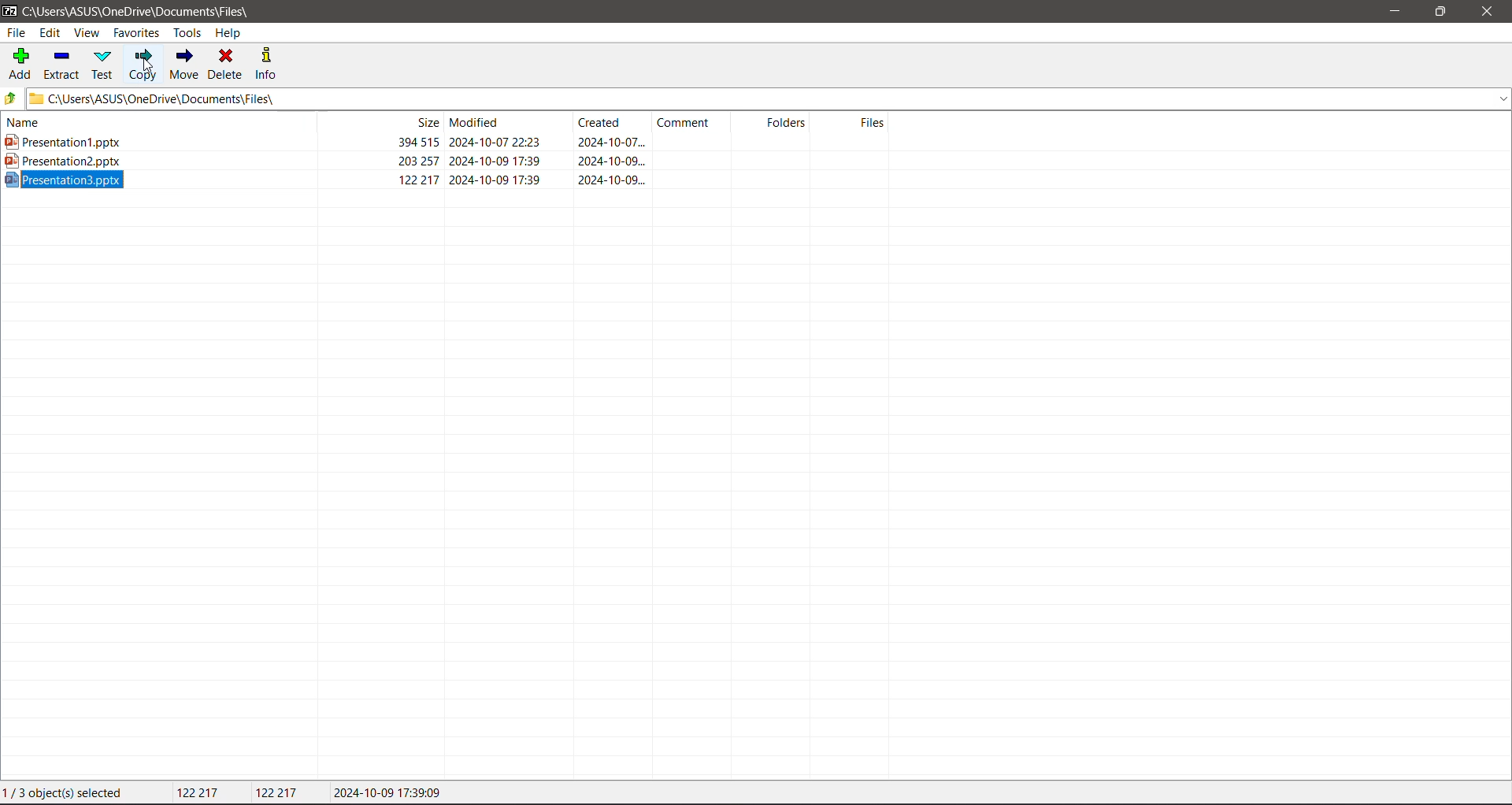  I want to click on Total Size of selected file(s), so click(201, 793).